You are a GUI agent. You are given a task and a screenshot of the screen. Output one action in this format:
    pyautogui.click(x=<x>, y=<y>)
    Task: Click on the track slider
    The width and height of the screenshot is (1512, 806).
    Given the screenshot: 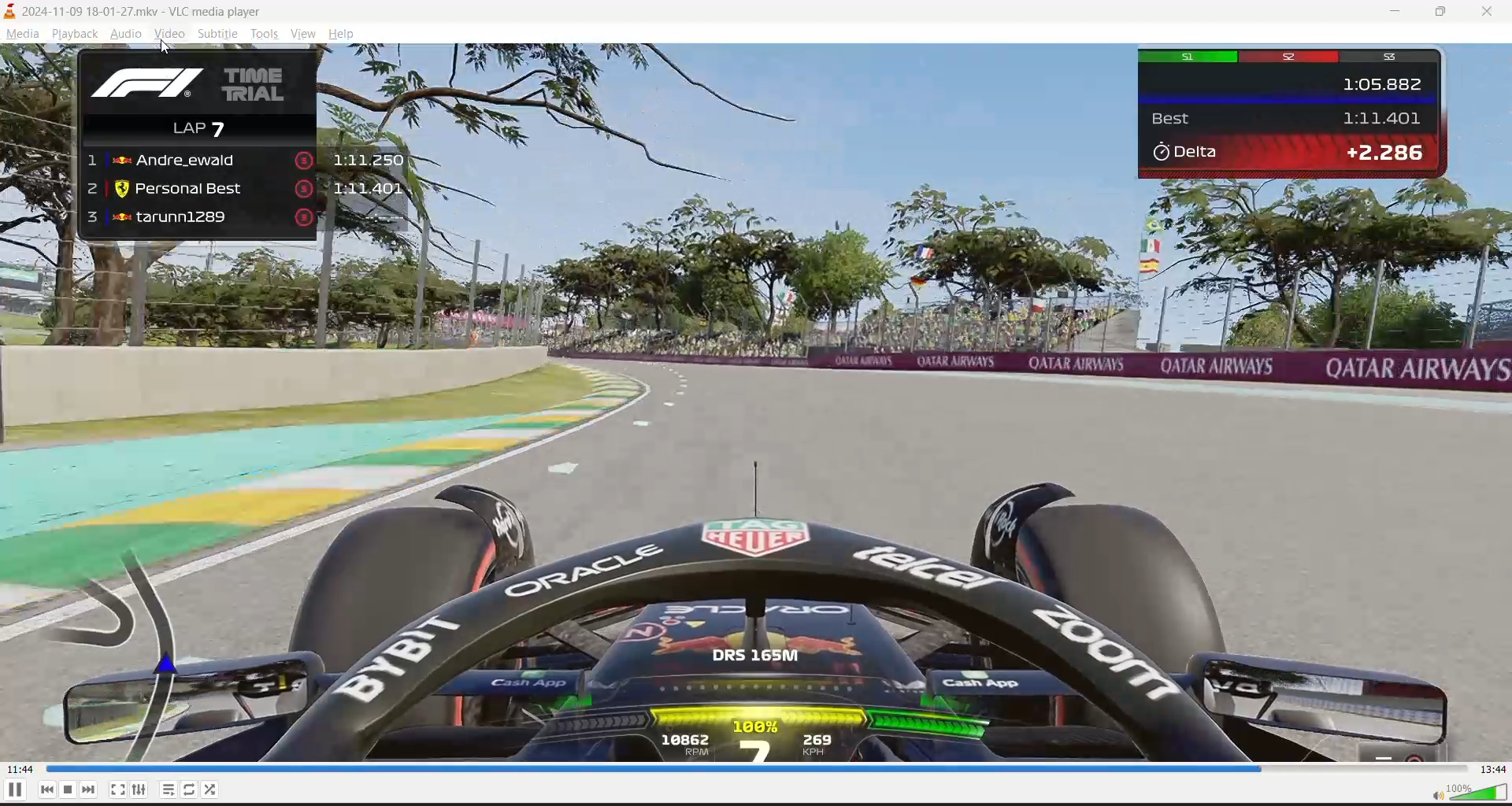 What is the action you would take?
    pyautogui.click(x=751, y=767)
    